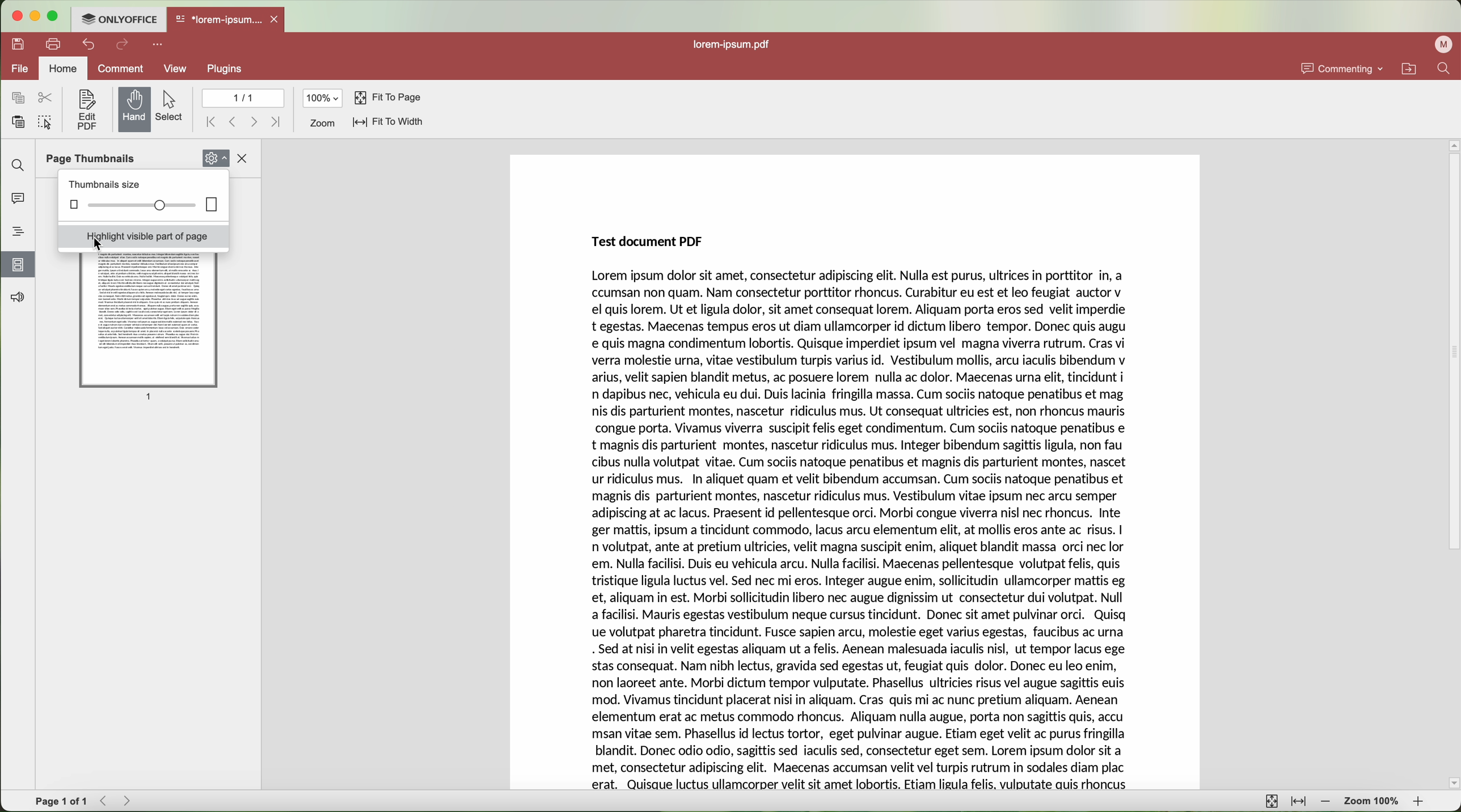 This screenshot has height=812, width=1461. Describe the element at coordinates (18, 232) in the screenshot. I see `headings` at that location.